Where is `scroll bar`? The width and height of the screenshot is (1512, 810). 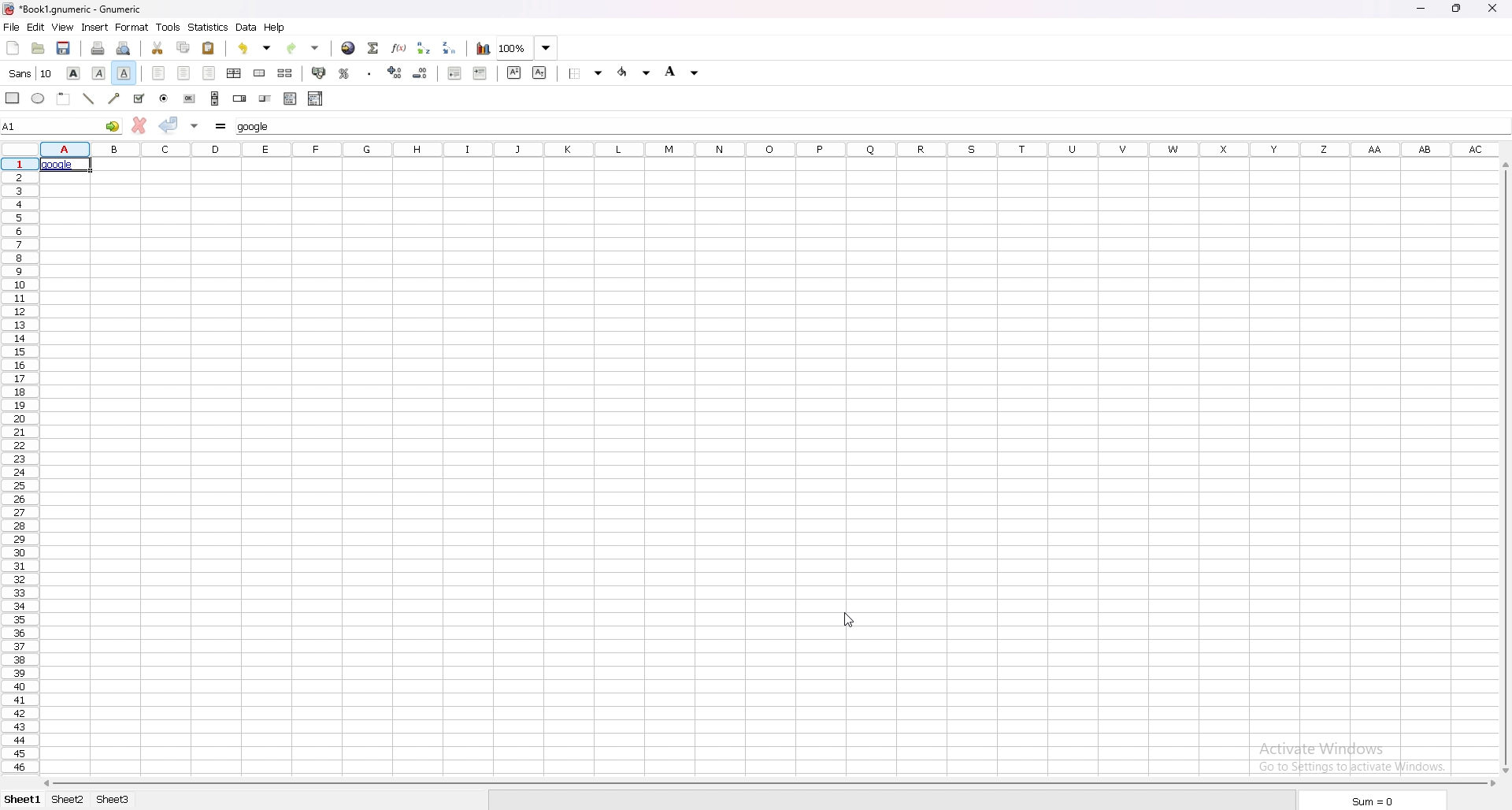
scroll bar is located at coordinates (1499, 469).